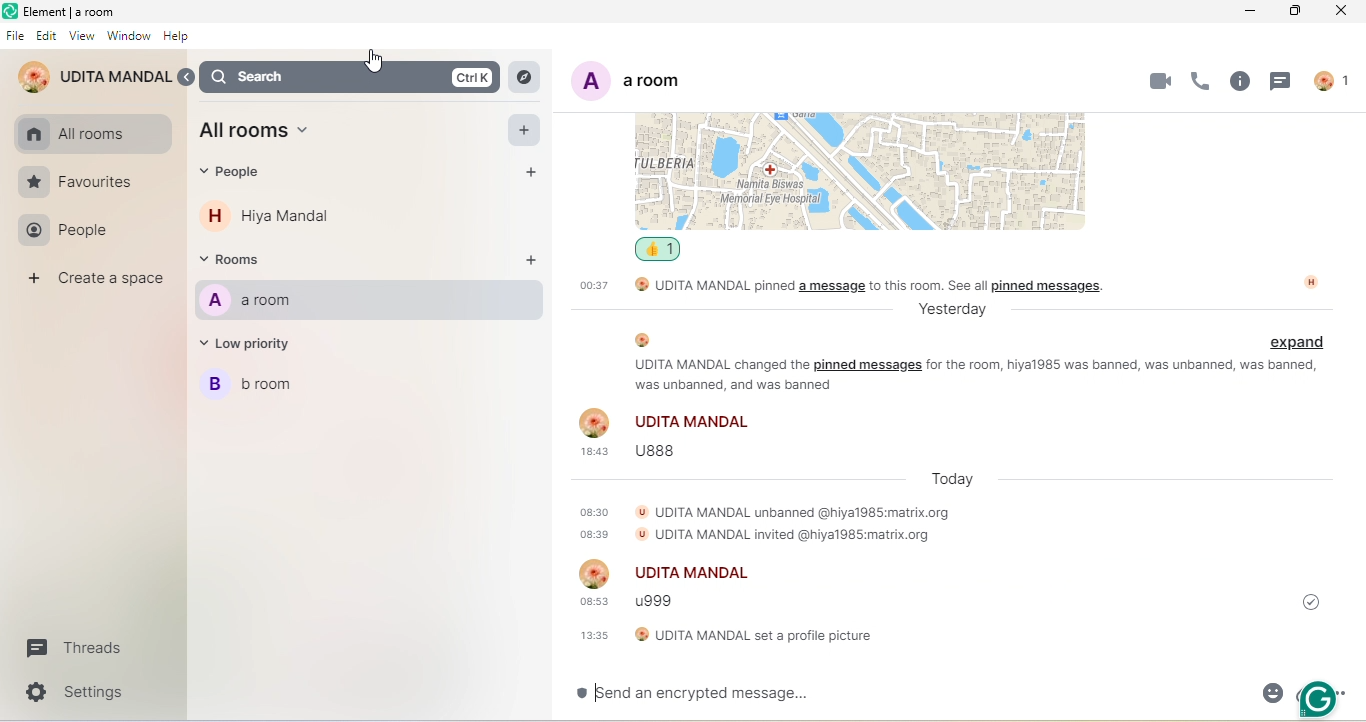  Describe the element at coordinates (727, 637) in the screenshot. I see ` UDITA MANDAL set a profile picture` at that location.